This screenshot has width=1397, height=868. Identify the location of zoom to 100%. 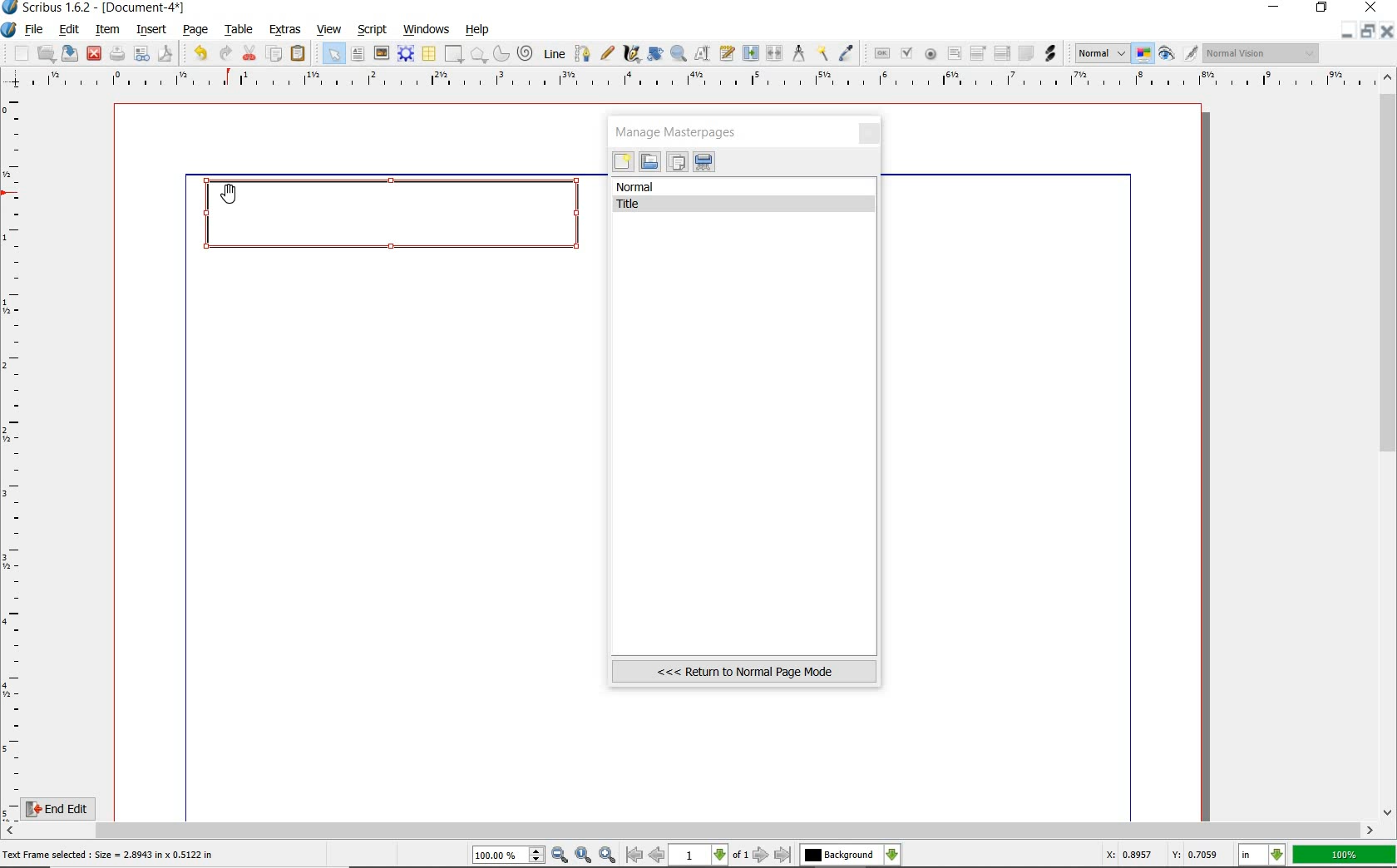
(585, 856).